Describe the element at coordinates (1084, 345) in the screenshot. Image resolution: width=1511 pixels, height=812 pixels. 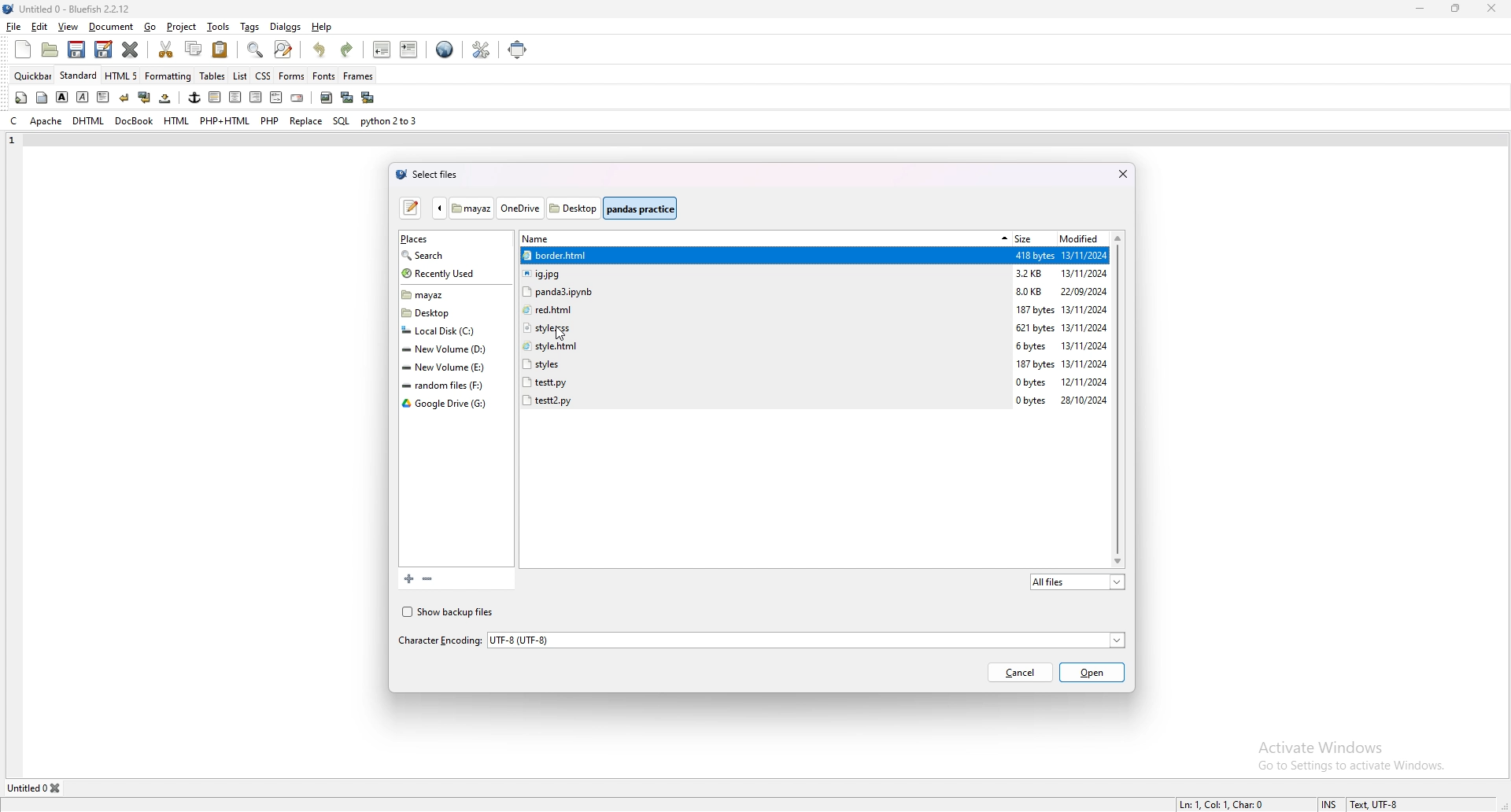
I see `13/11/2024` at that location.